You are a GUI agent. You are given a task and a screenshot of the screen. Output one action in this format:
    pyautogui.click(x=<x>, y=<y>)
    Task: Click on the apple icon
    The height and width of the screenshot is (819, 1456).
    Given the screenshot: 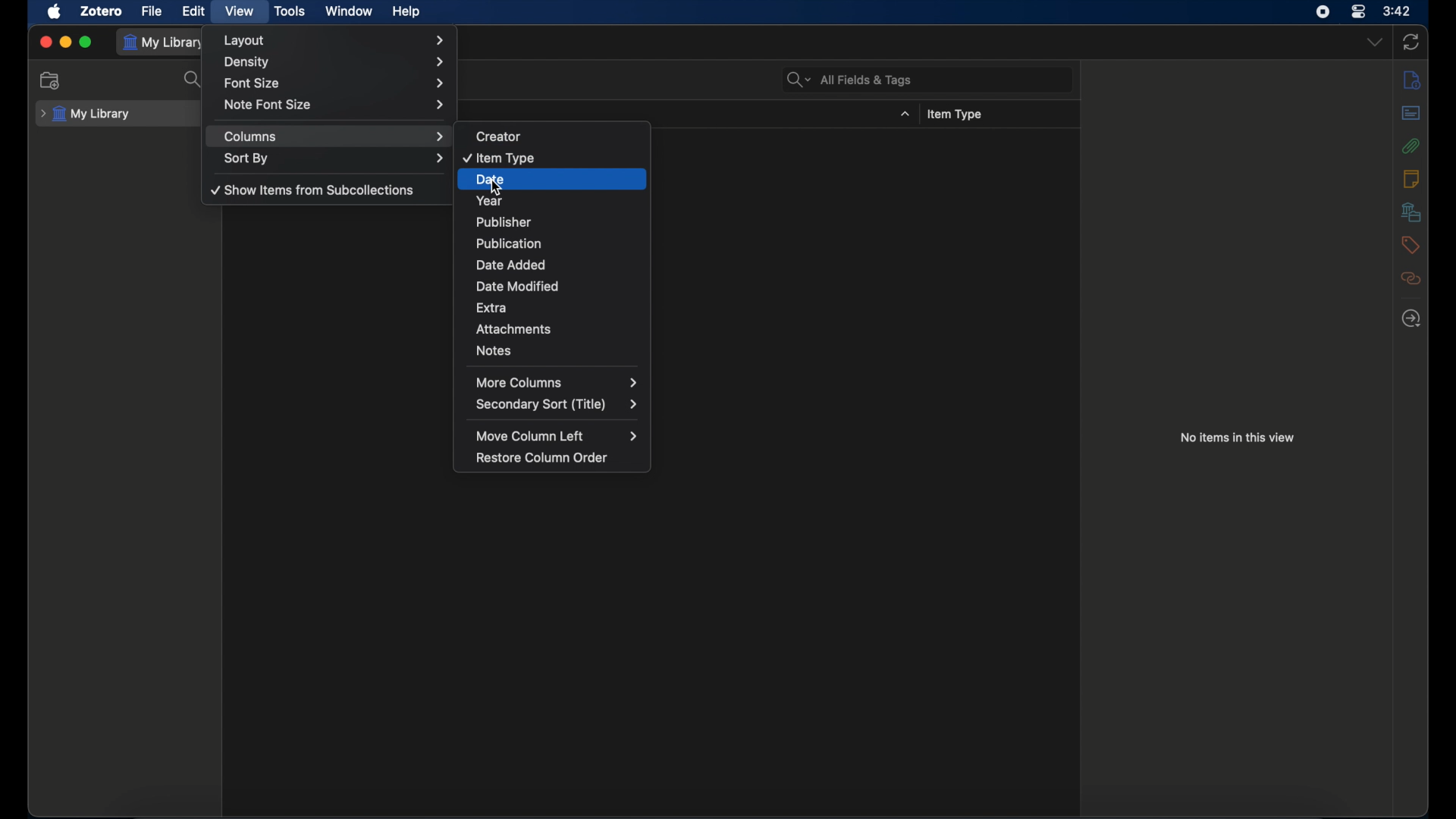 What is the action you would take?
    pyautogui.click(x=55, y=12)
    